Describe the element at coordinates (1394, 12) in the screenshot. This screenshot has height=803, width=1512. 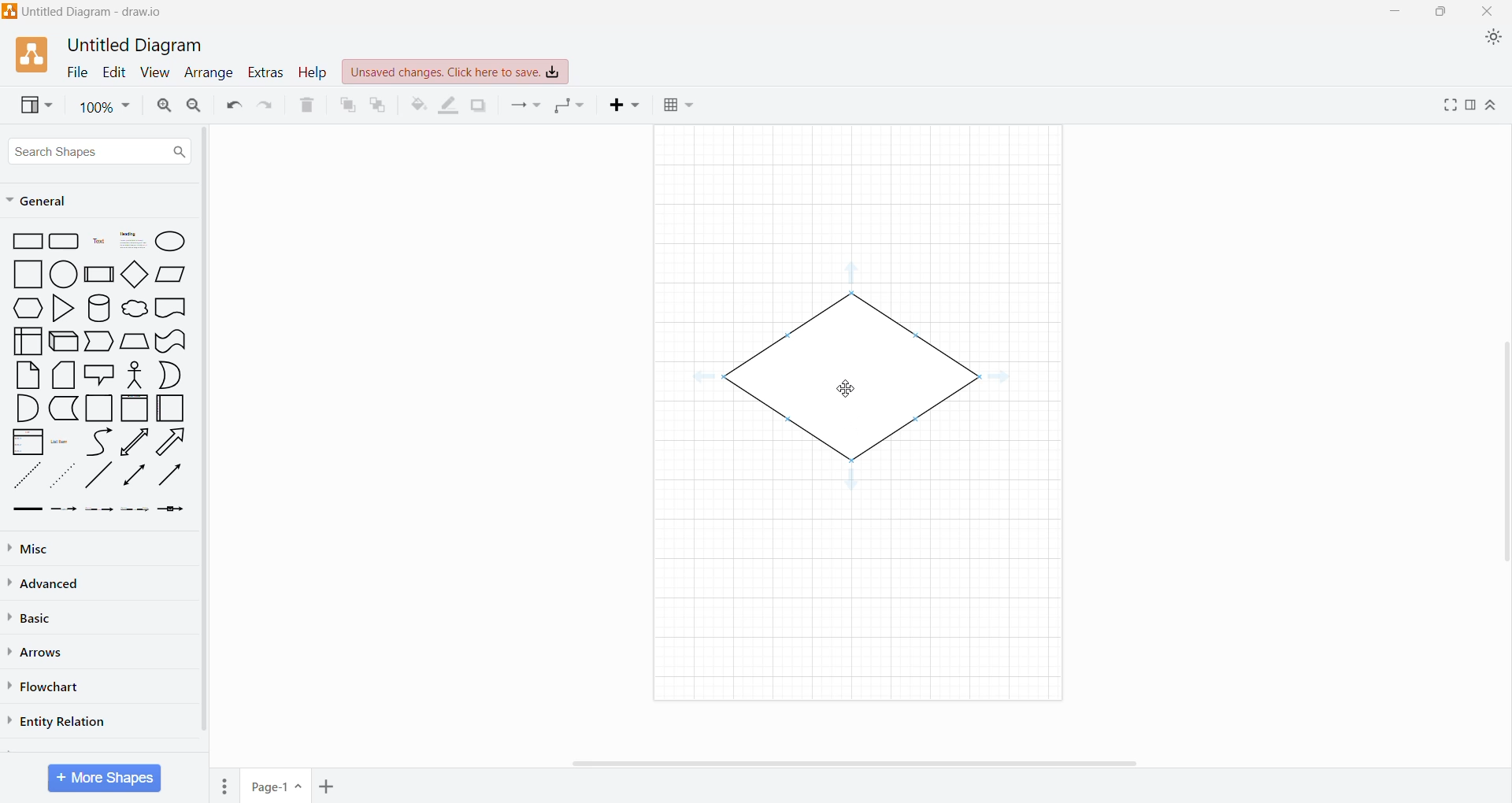
I see `Minimize` at that location.